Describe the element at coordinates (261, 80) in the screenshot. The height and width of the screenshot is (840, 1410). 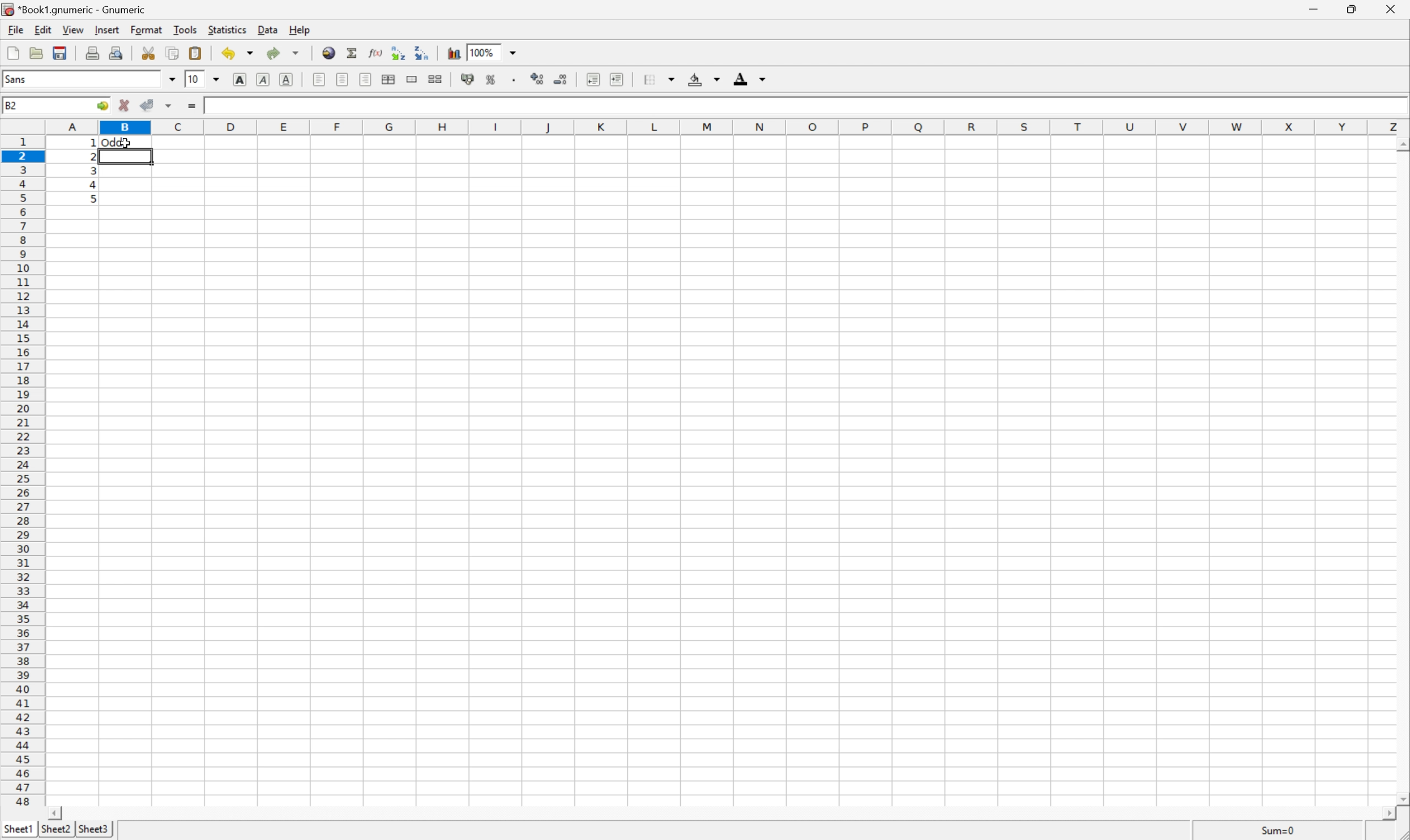
I see `Italic` at that location.